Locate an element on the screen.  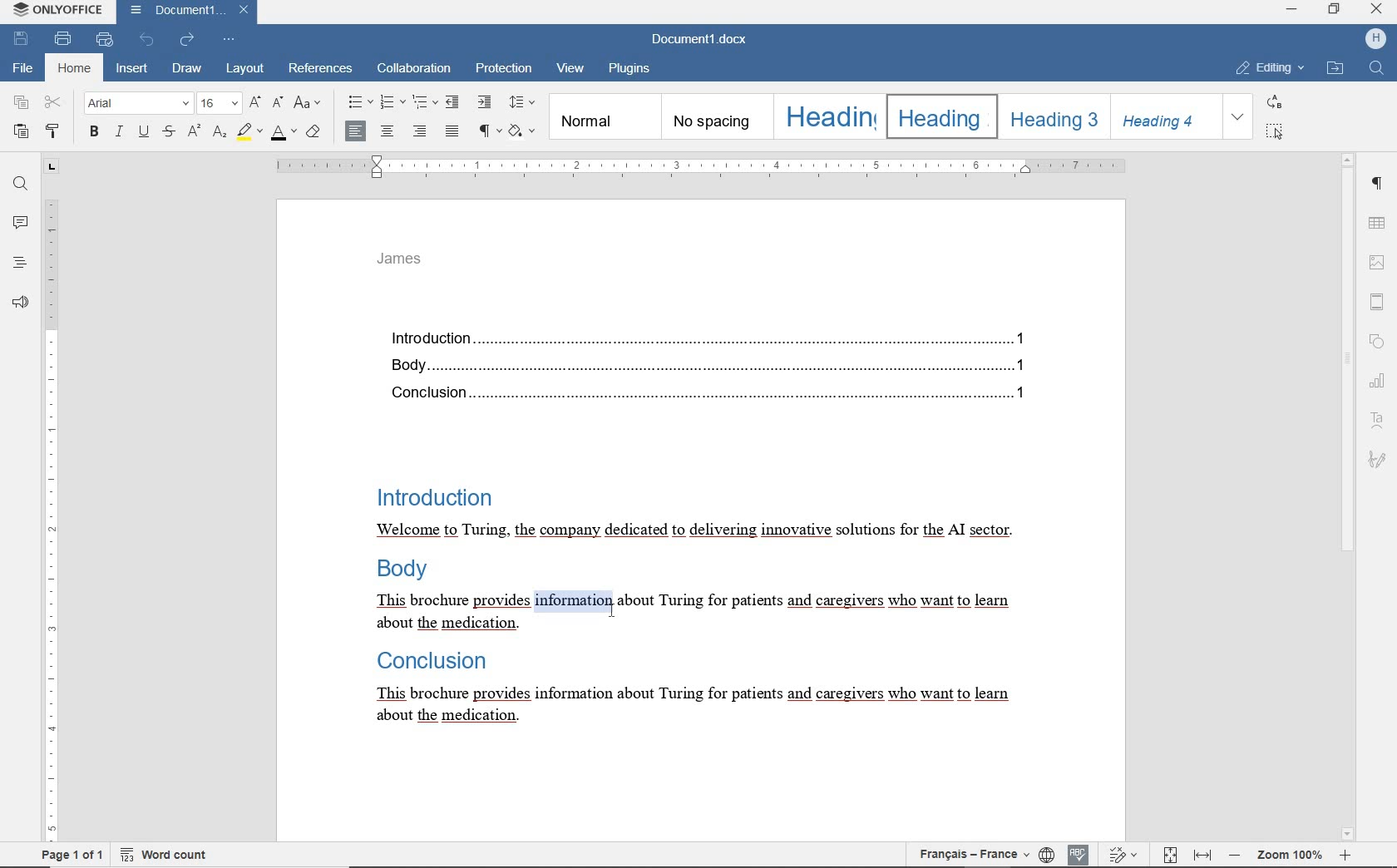
REDO is located at coordinates (188, 41).